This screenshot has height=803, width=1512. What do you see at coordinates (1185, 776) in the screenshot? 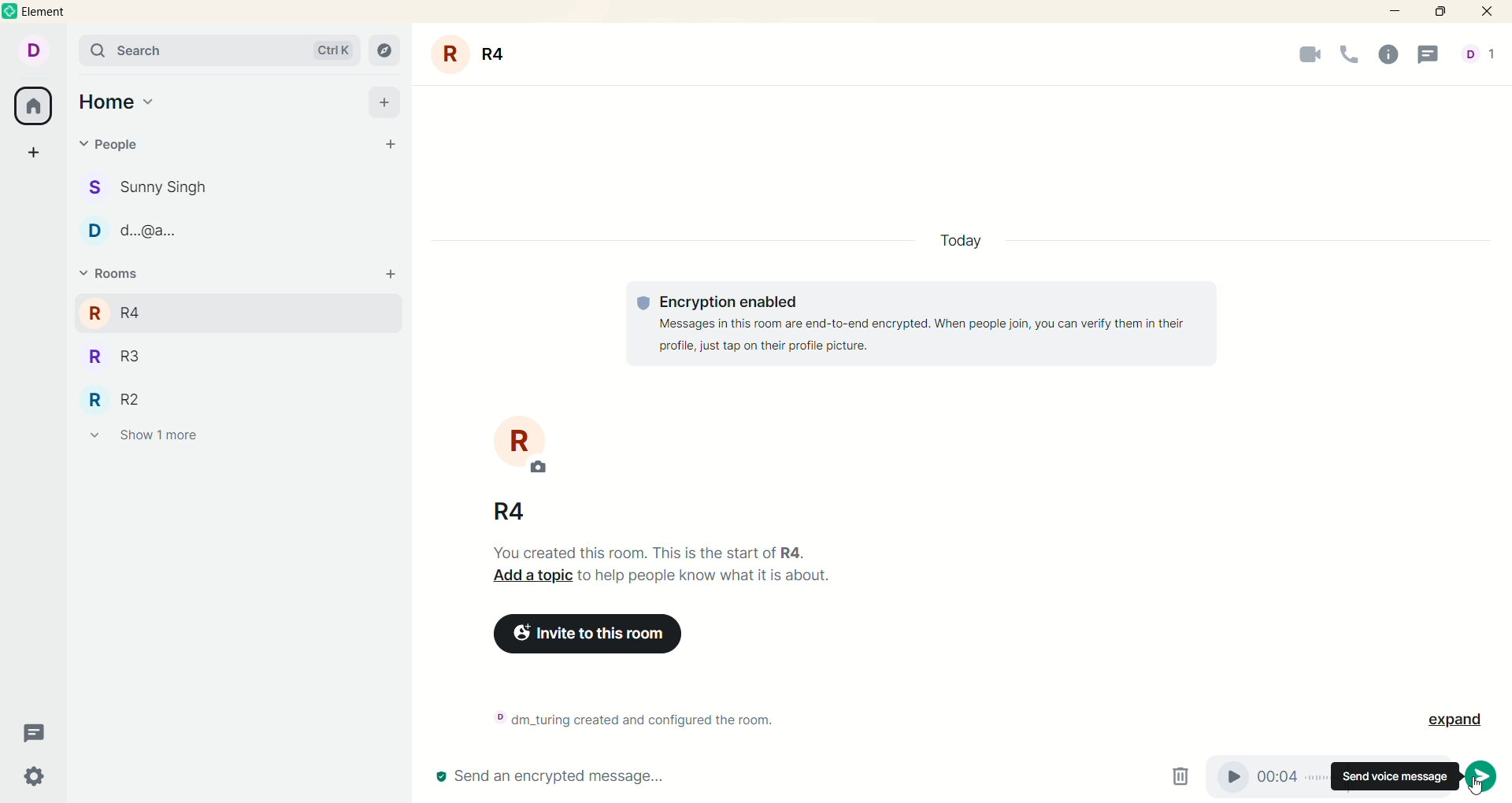
I see `delete` at bounding box center [1185, 776].